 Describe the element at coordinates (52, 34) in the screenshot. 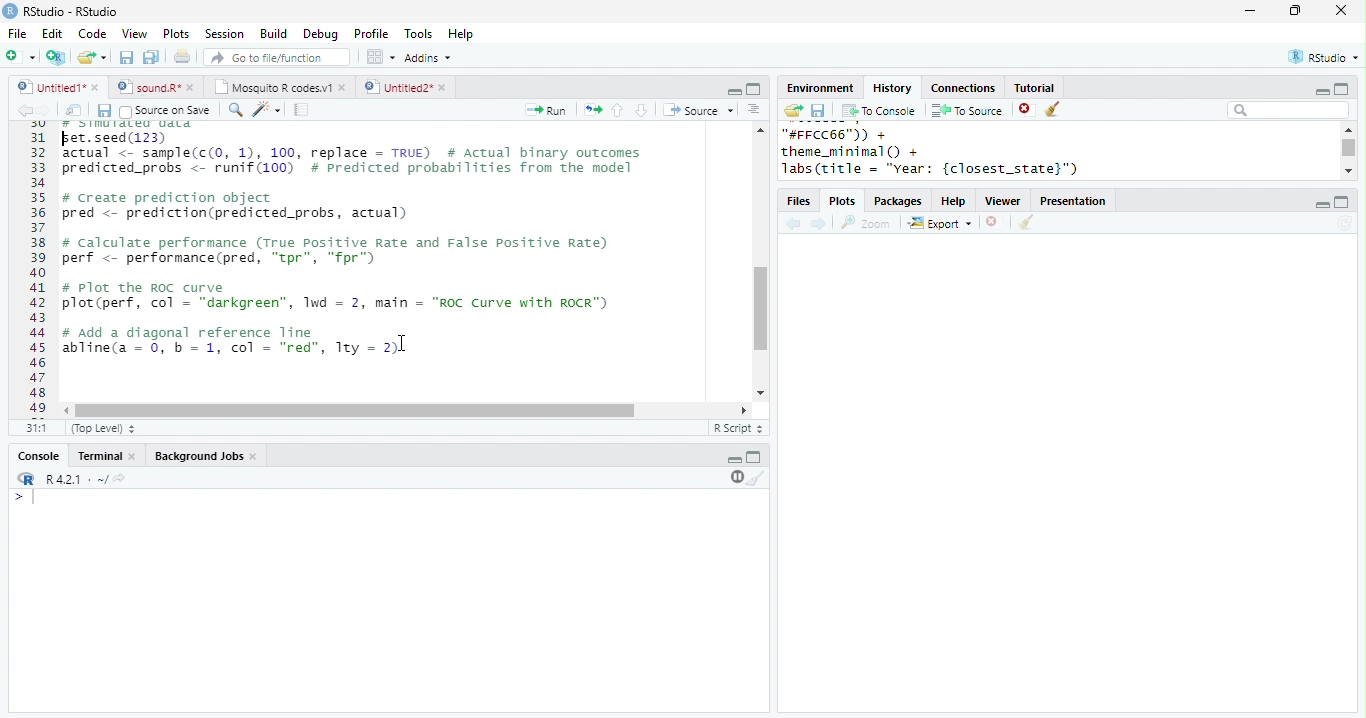

I see `Edit` at that location.